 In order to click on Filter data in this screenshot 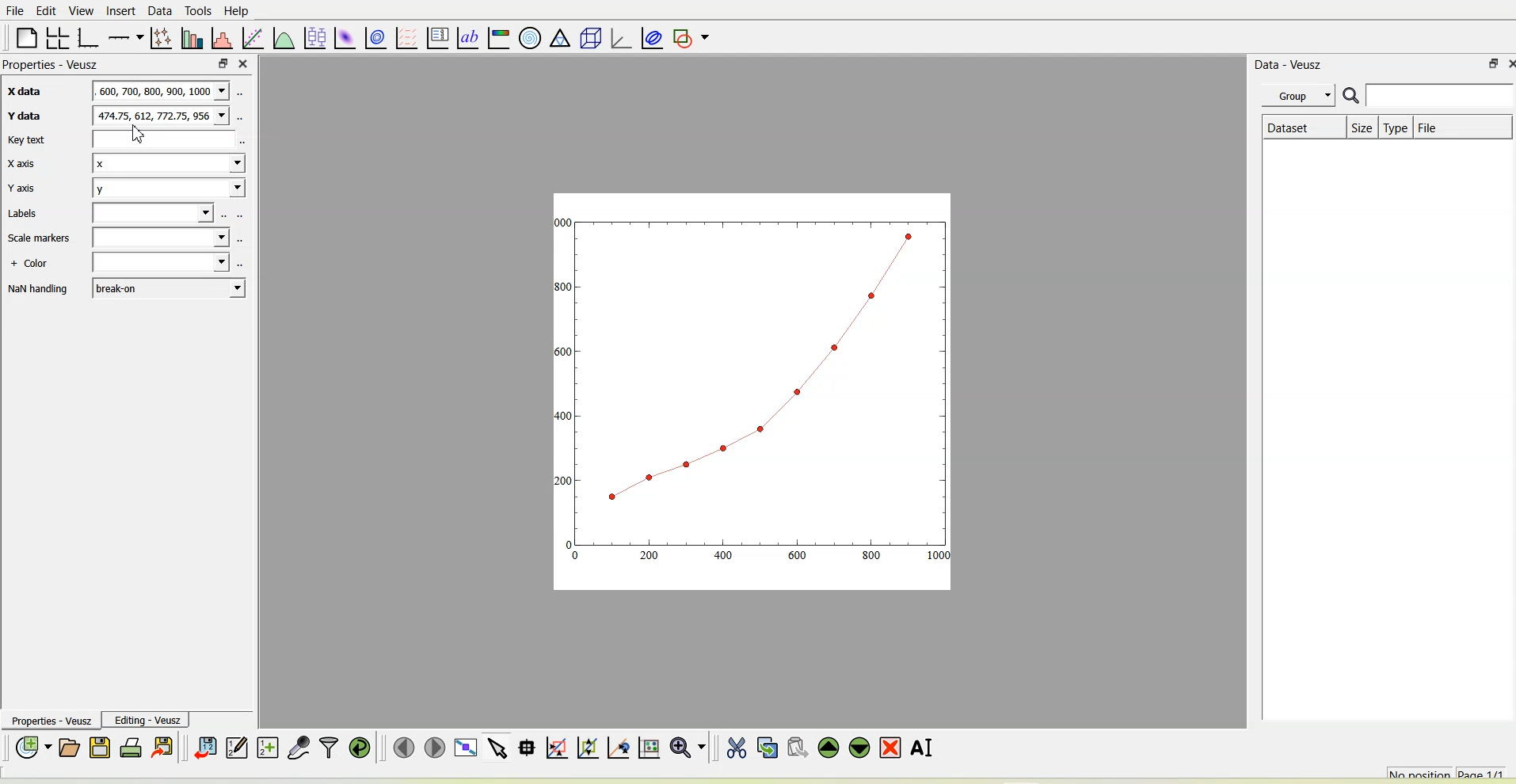, I will do `click(329, 748)`.